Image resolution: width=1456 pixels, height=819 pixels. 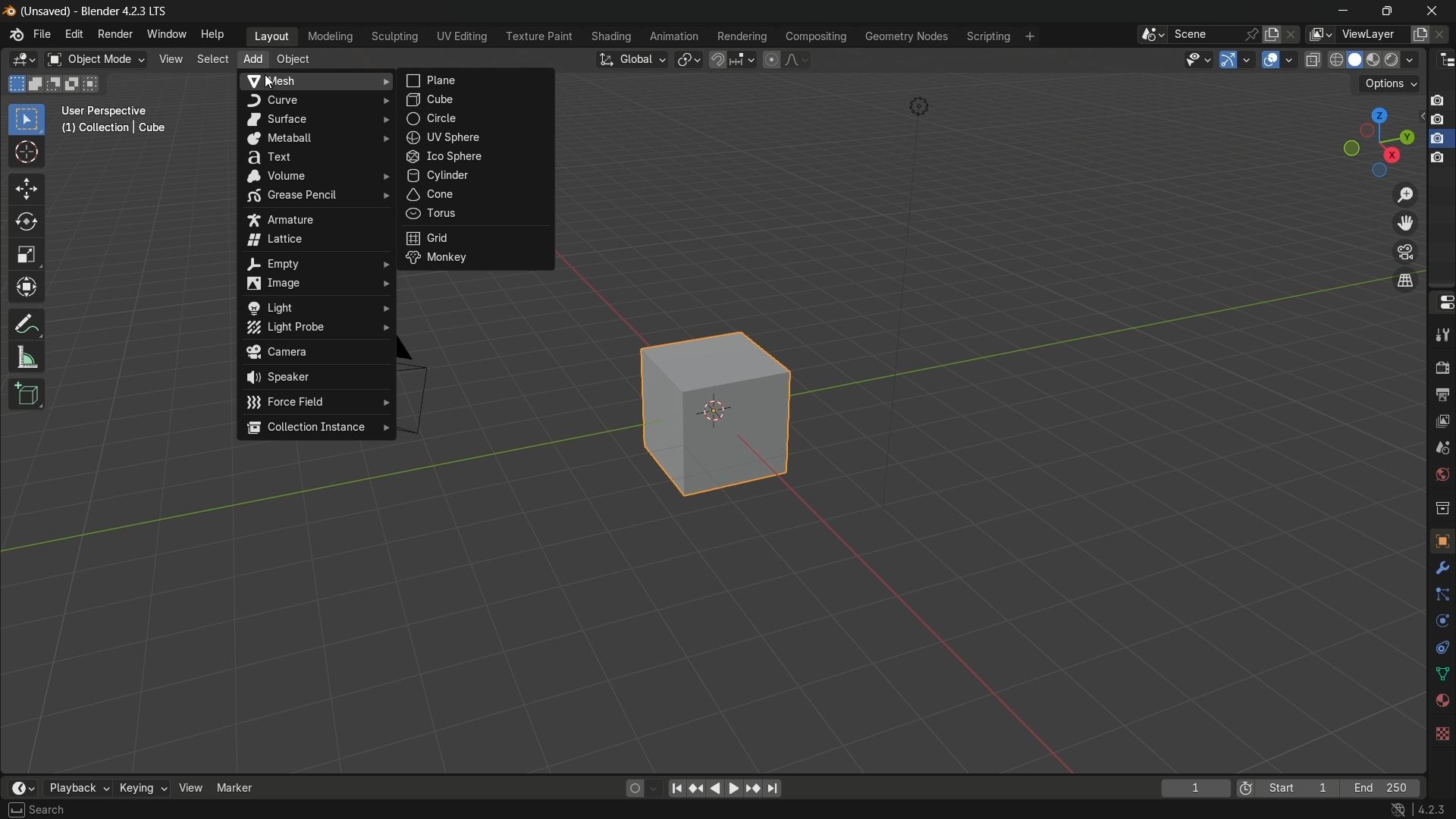 I want to click on logo, so click(x=11, y=11).